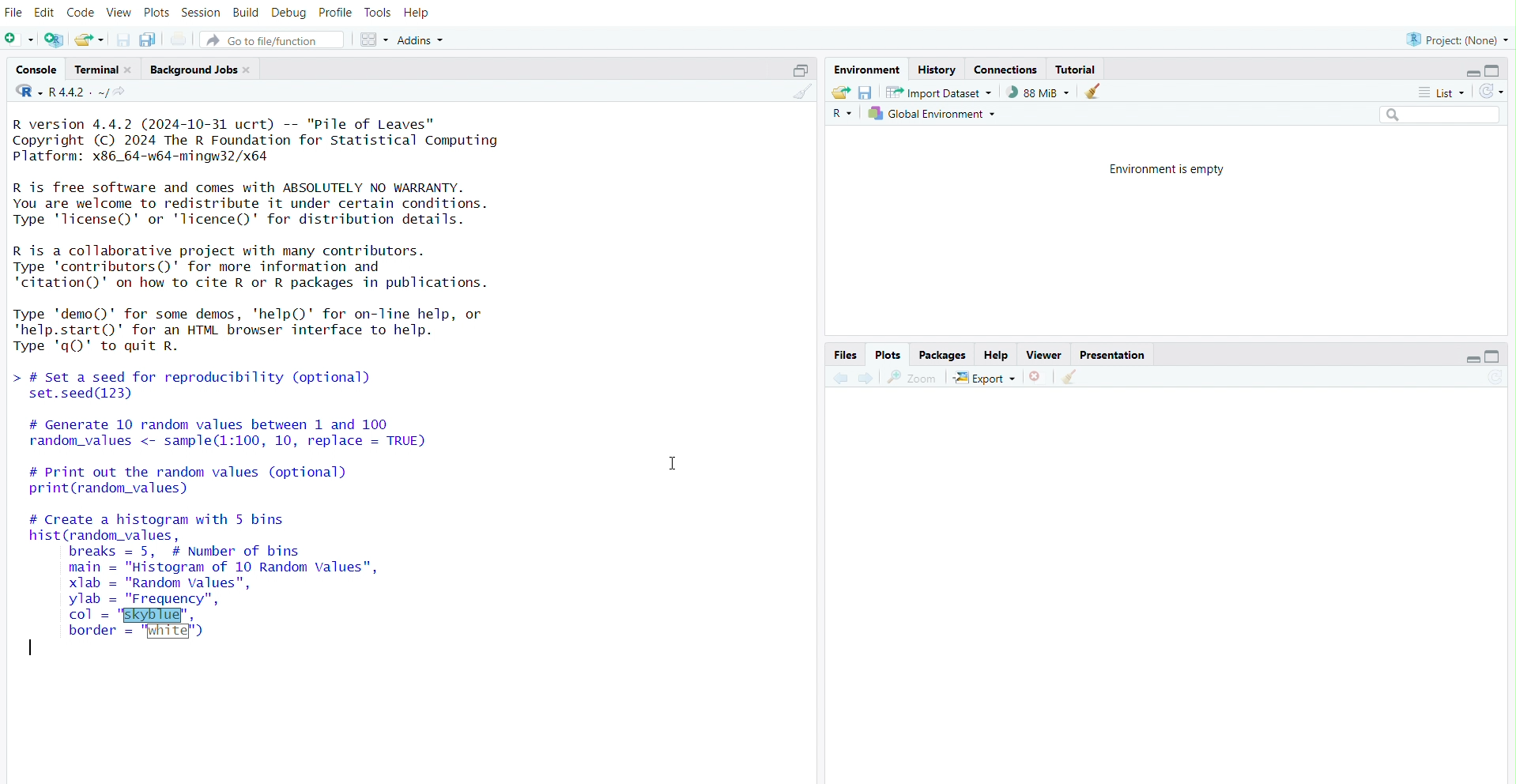 The height and width of the screenshot is (784, 1516). What do you see at coordinates (45, 10) in the screenshot?
I see `edit` at bounding box center [45, 10].